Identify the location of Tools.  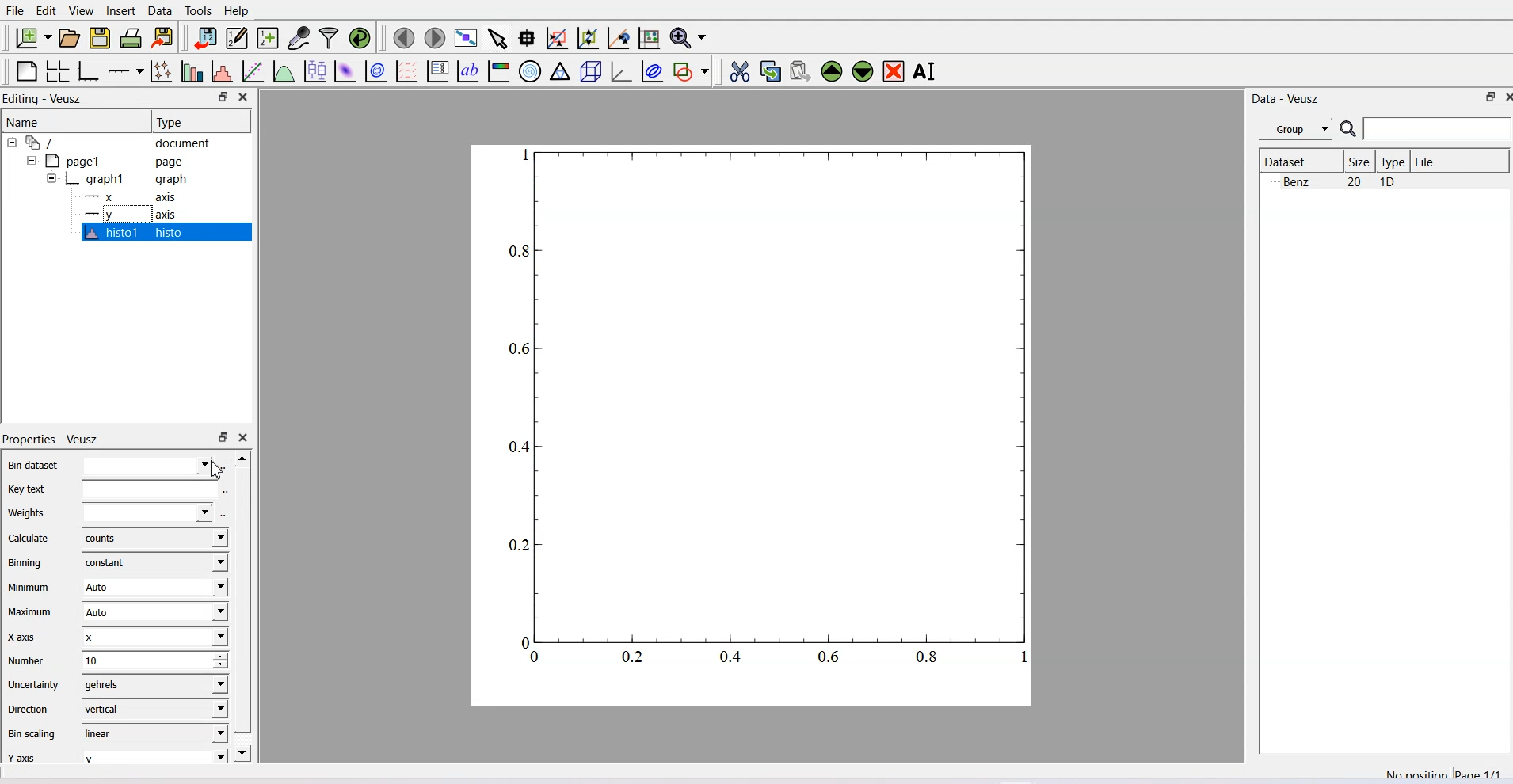
(198, 11).